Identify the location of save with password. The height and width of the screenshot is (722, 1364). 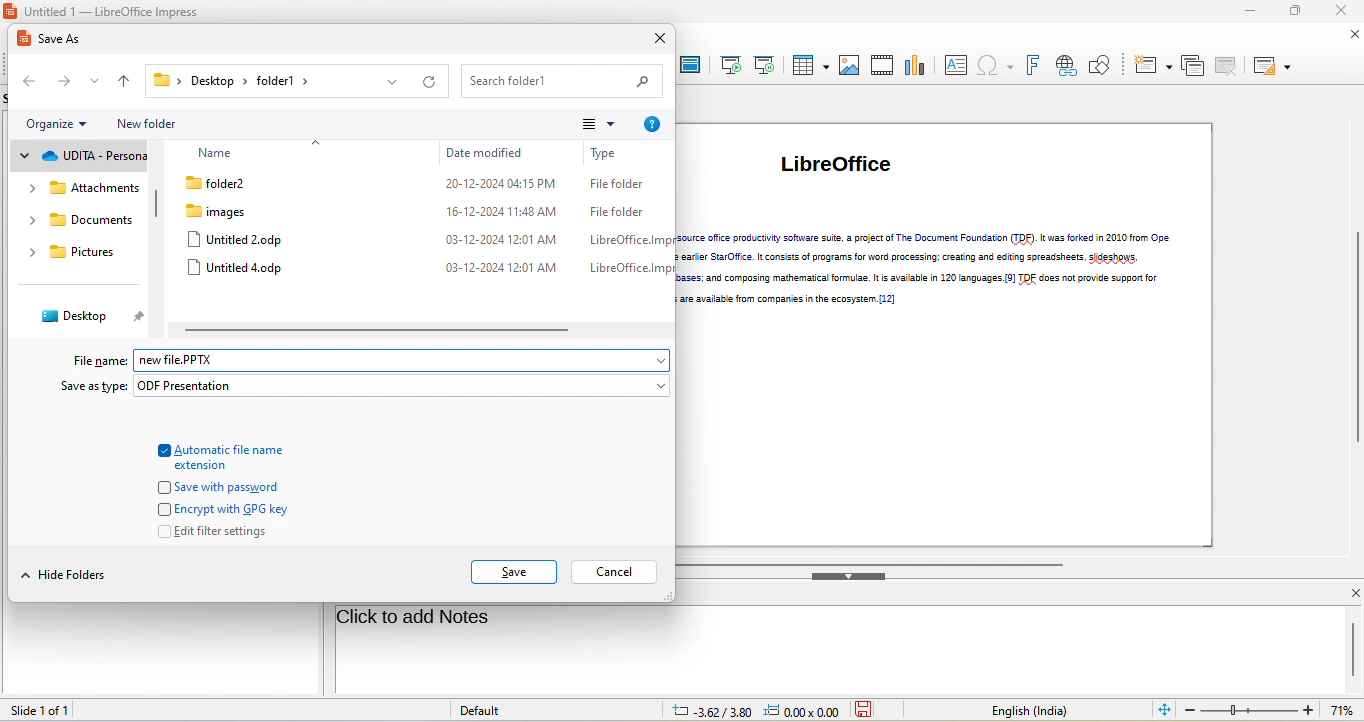
(220, 486).